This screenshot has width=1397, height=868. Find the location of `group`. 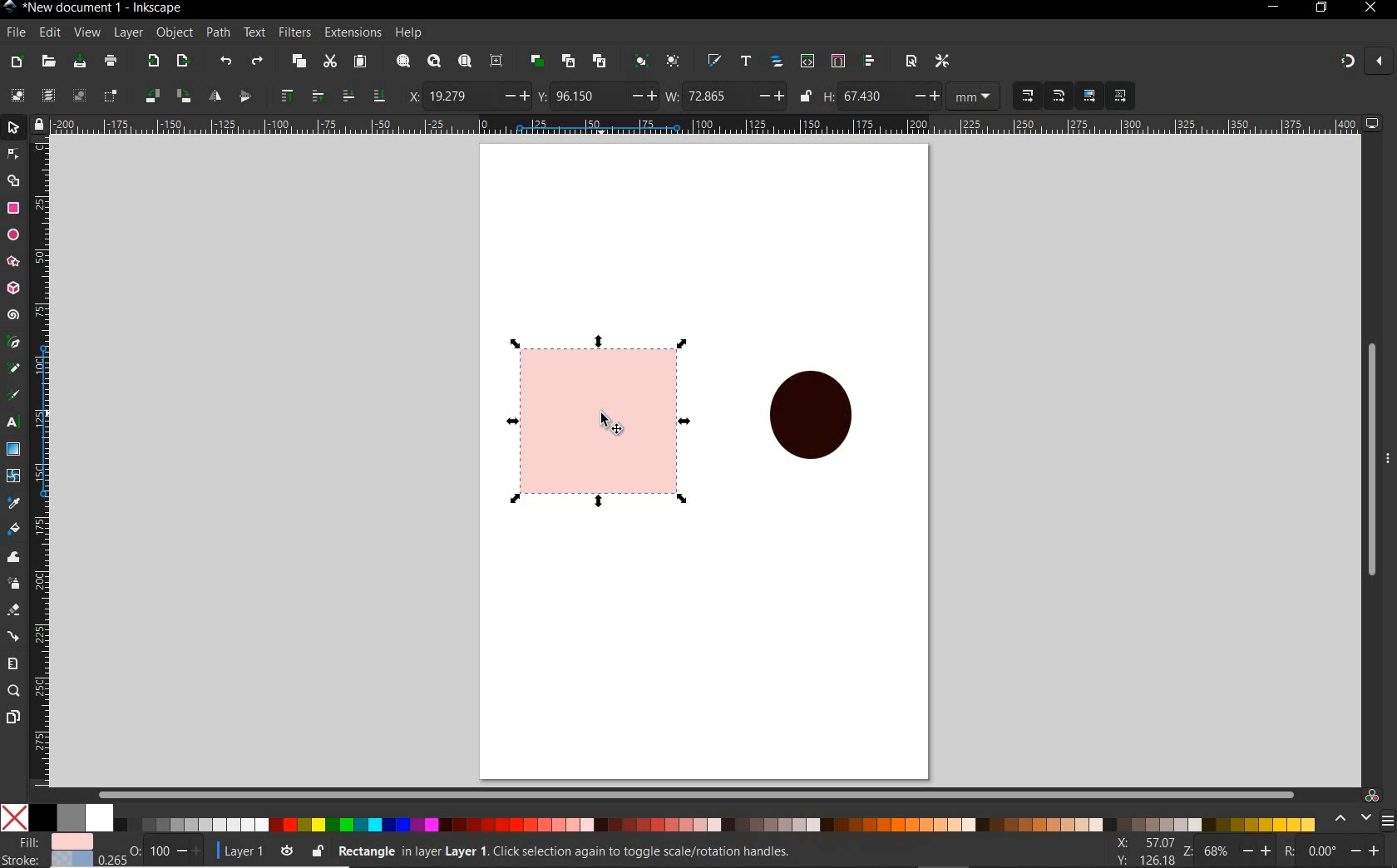

group is located at coordinates (643, 62).